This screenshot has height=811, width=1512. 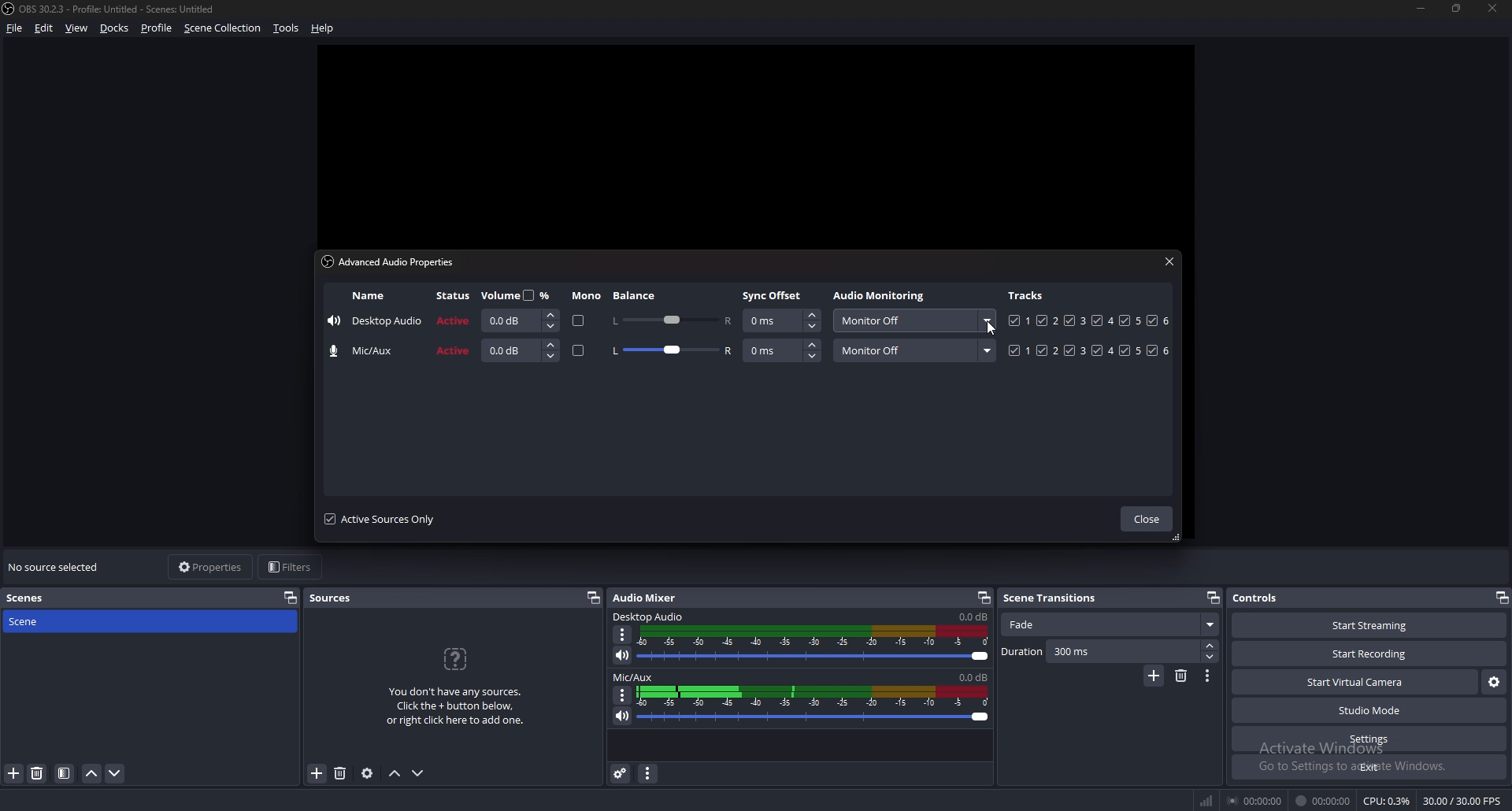 I want to click on sync offset input, so click(x=781, y=321).